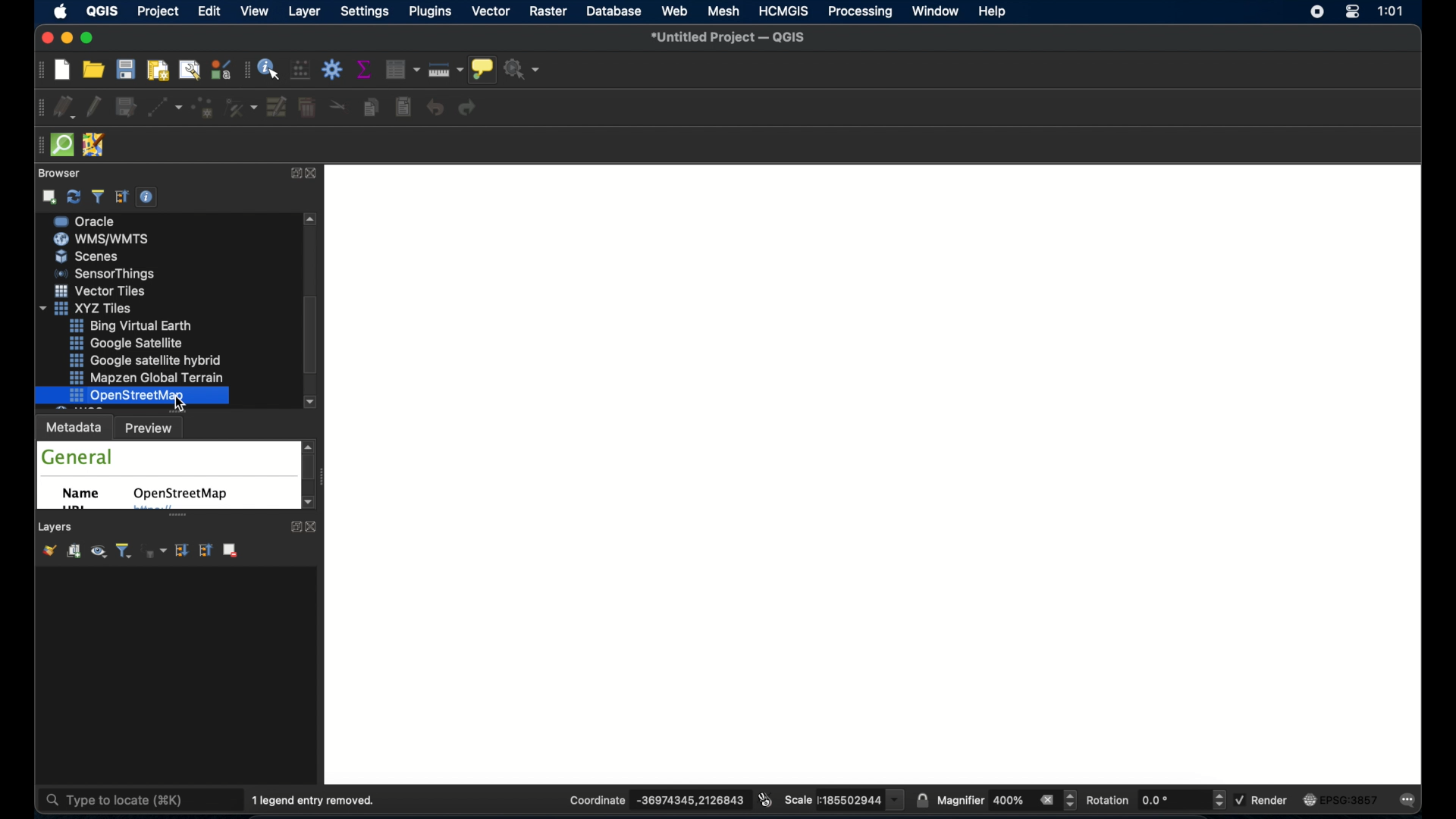 The height and width of the screenshot is (819, 1456). I want to click on settings, so click(364, 12).